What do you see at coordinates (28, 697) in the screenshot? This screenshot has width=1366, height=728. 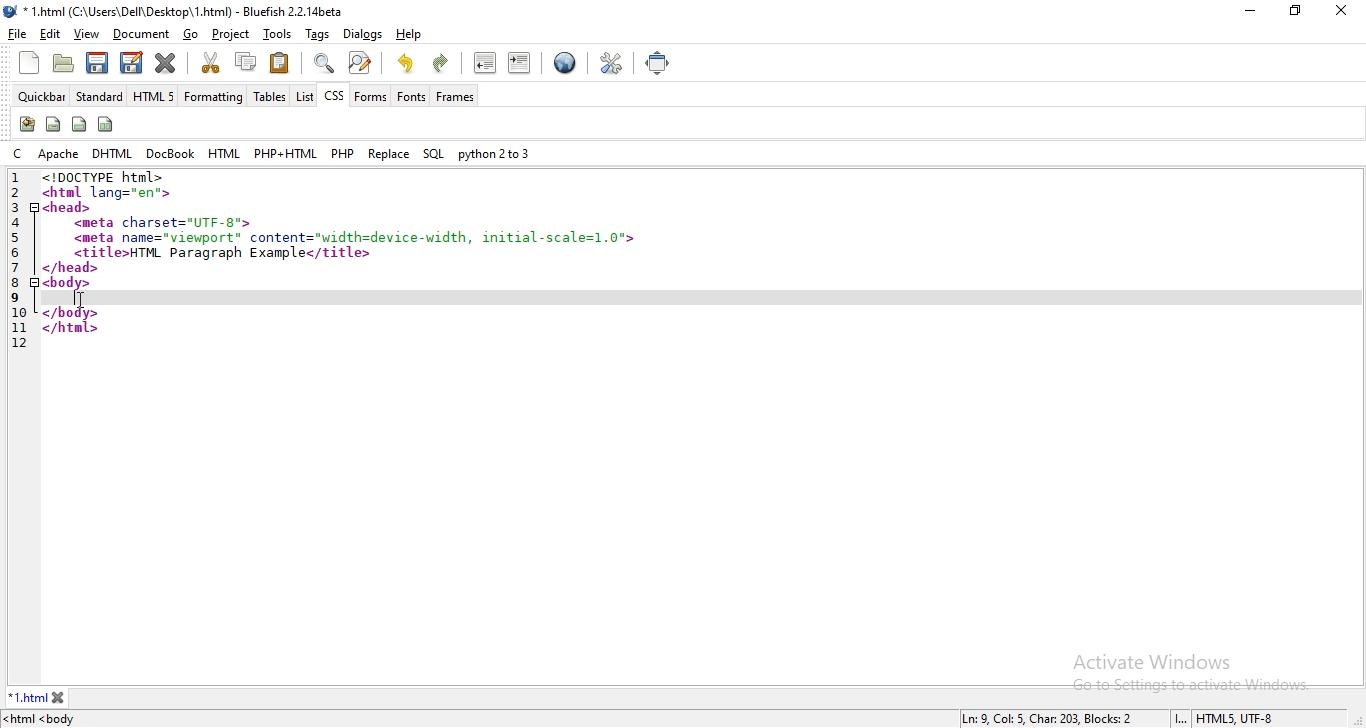 I see `*1.html` at bounding box center [28, 697].